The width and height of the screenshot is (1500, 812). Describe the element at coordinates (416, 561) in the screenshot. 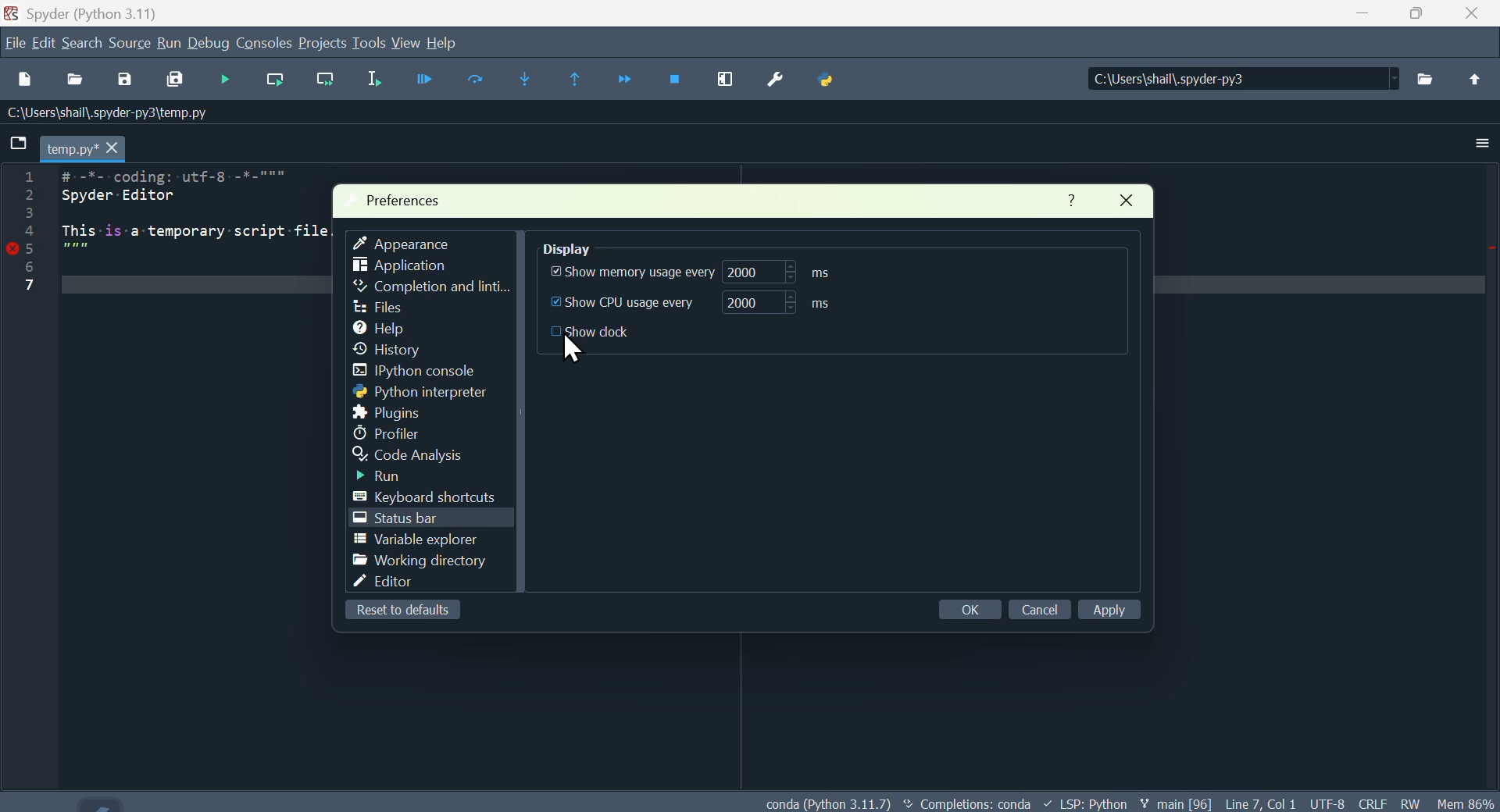

I see `Working directory` at that location.